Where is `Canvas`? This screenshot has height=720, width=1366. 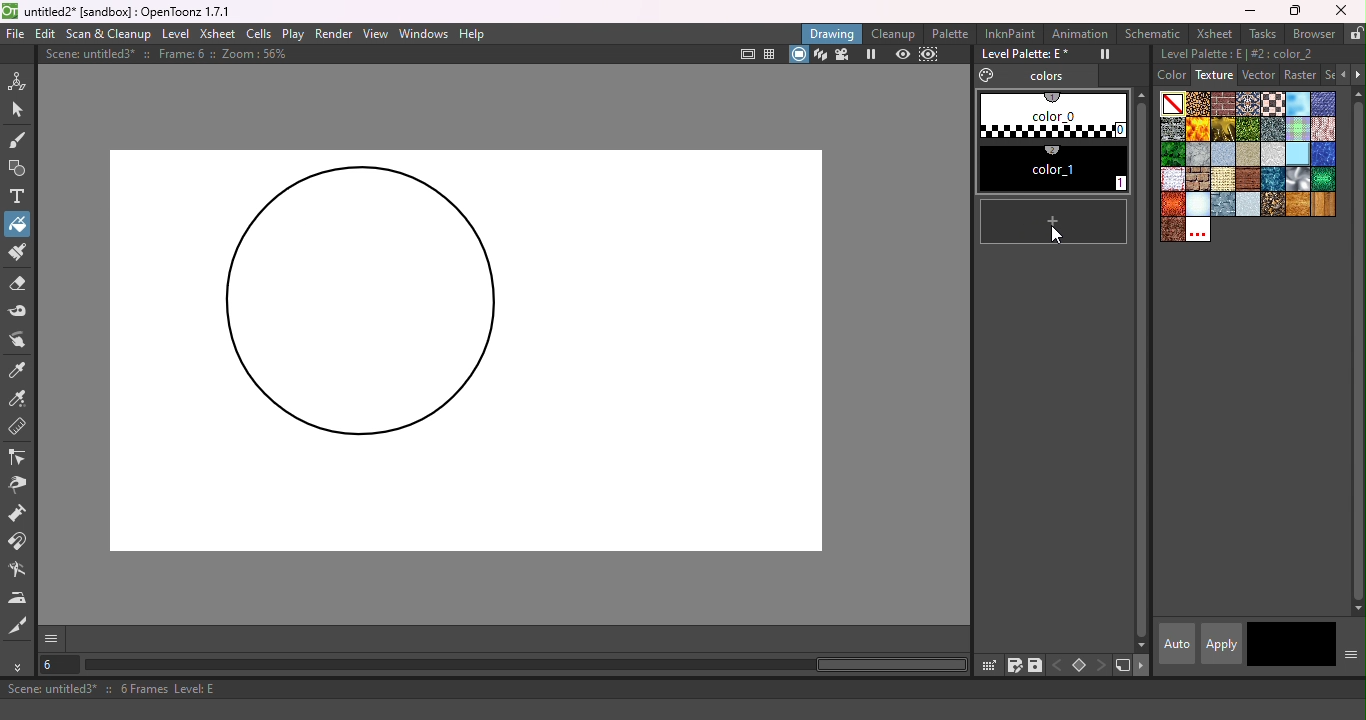 Canvas is located at coordinates (463, 349).